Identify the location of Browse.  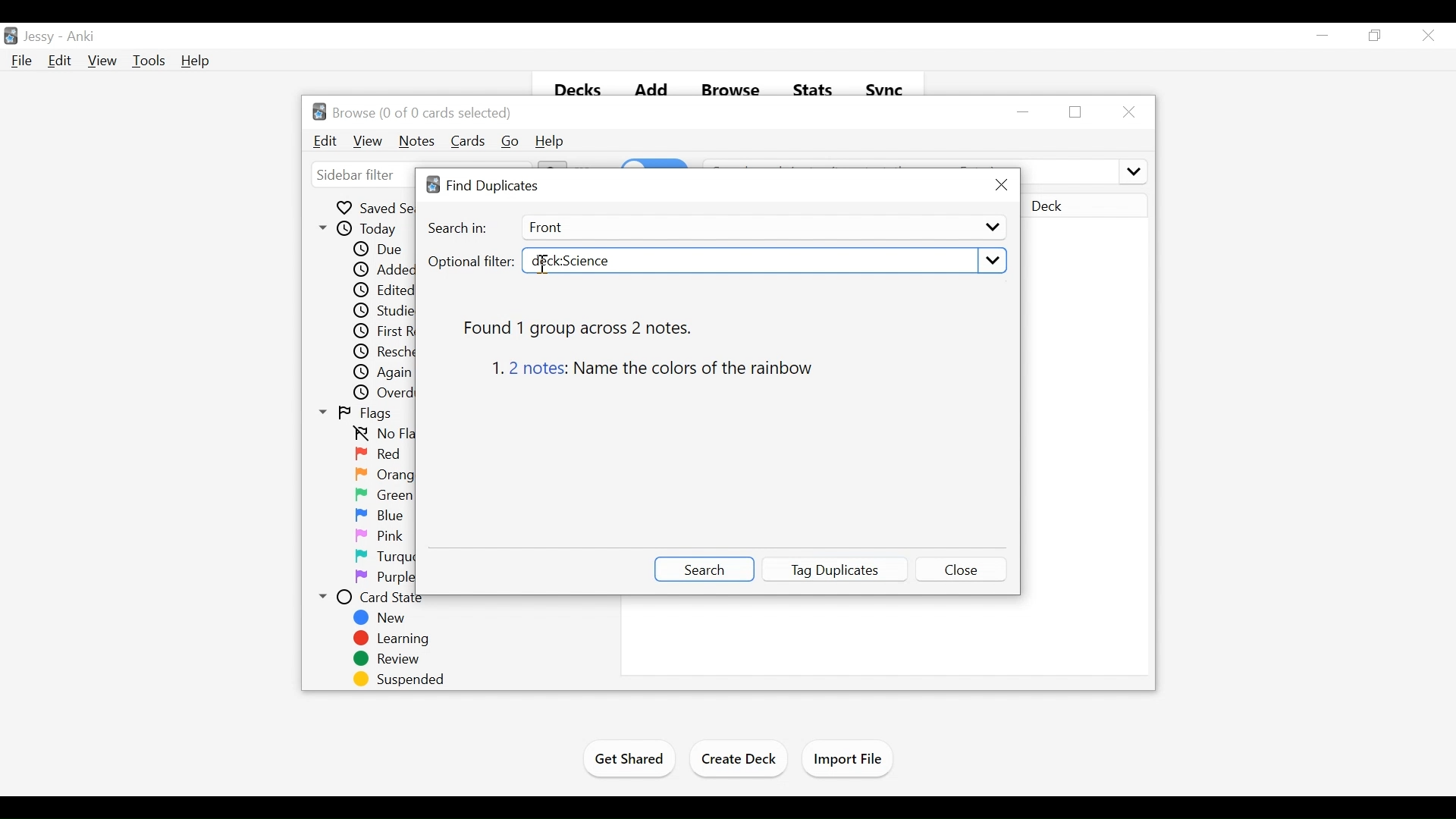
(730, 86).